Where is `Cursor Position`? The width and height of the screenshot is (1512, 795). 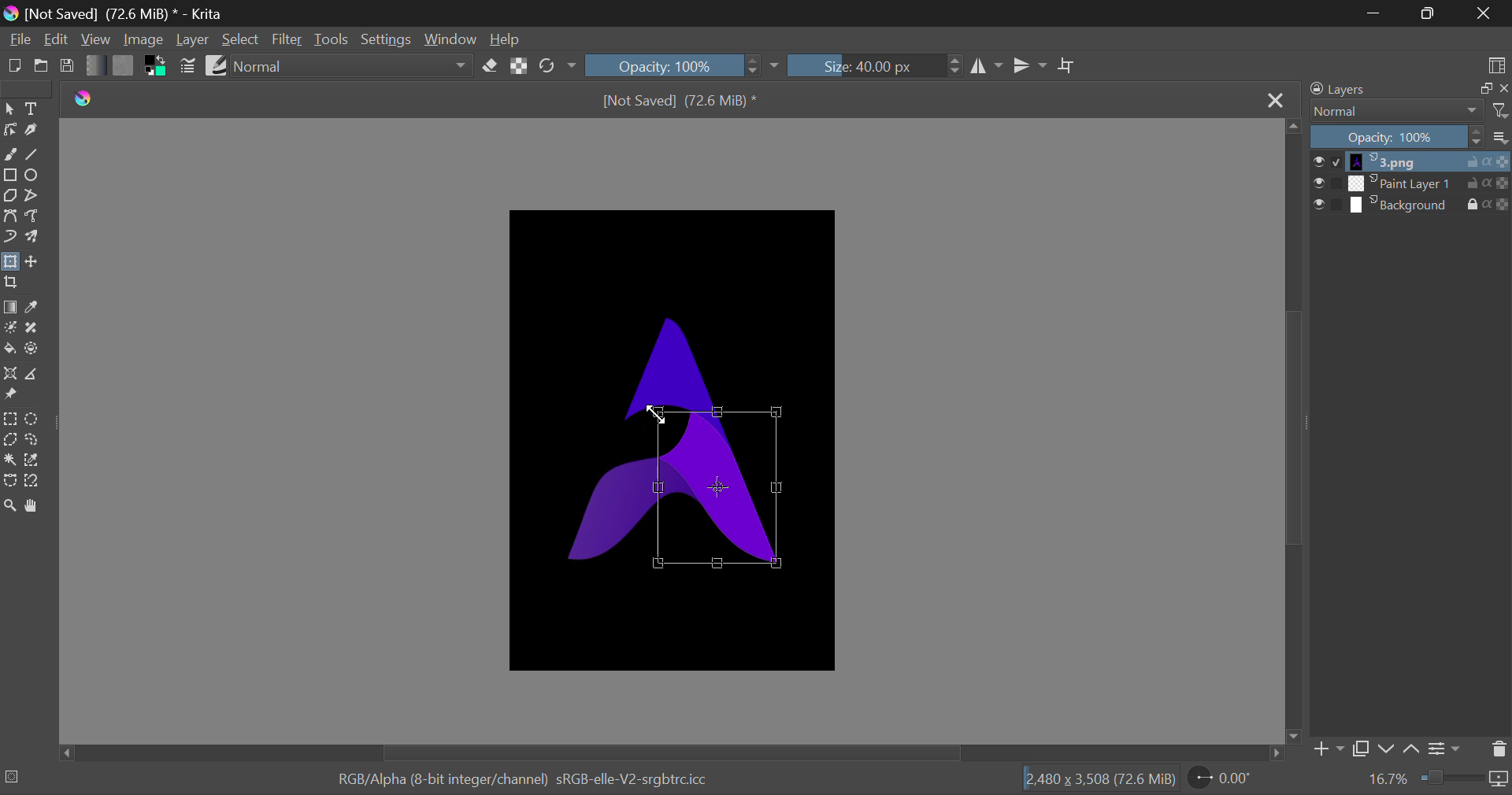 Cursor Position is located at coordinates (652, 410).